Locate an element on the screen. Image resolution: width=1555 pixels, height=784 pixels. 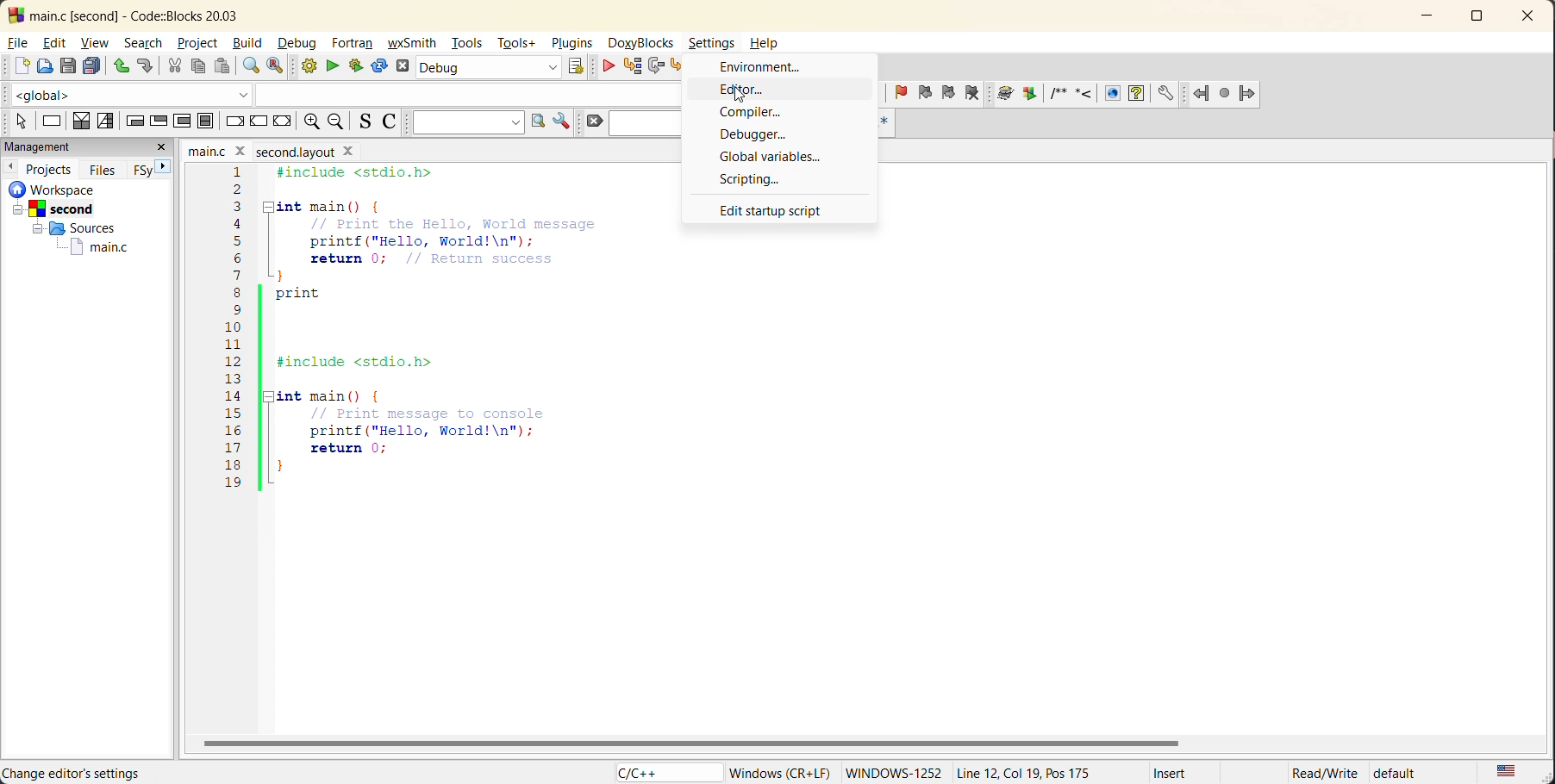
main.c is located at coordinates (87, 246).